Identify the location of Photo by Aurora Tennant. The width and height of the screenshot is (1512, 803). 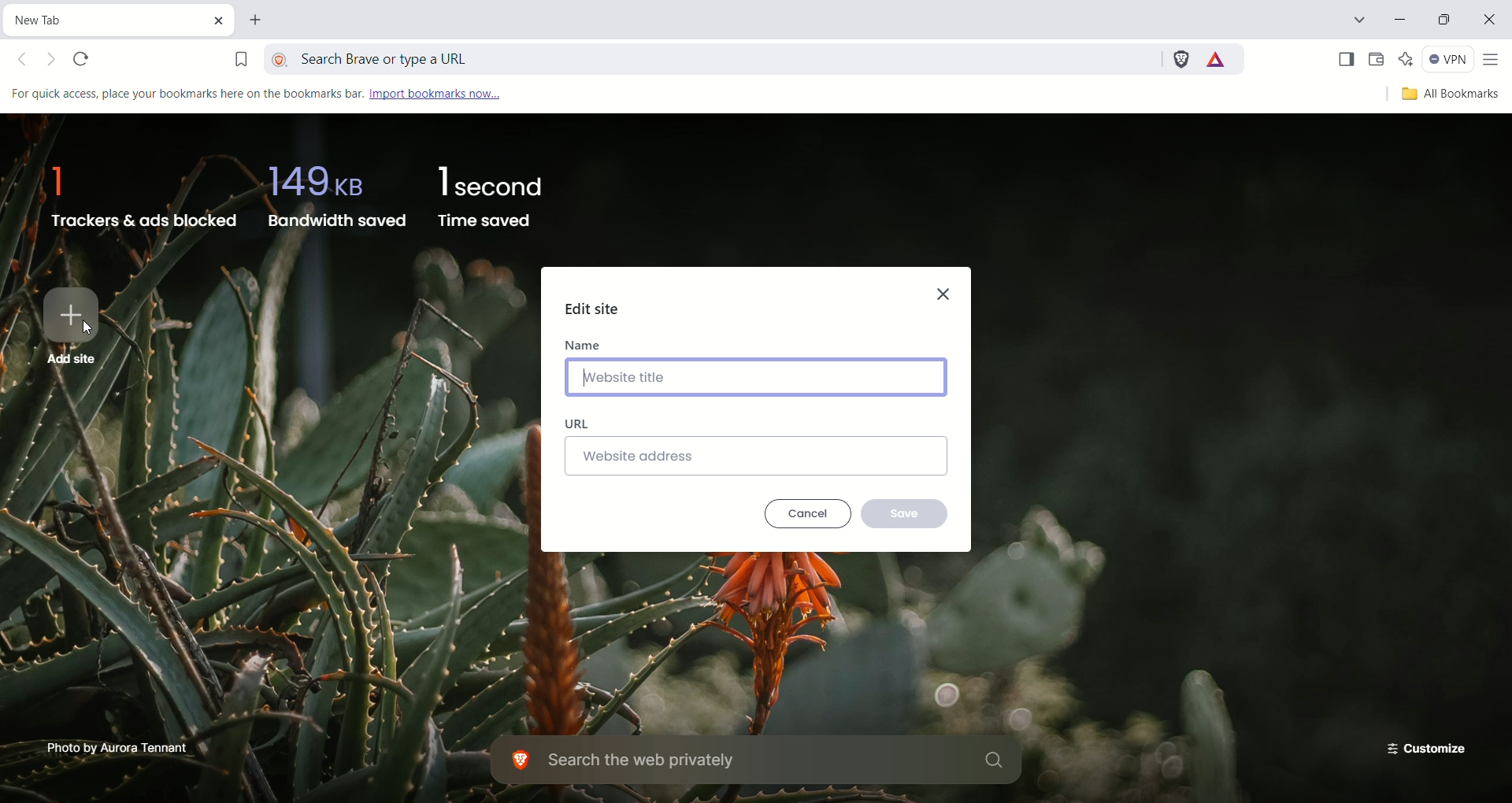
(119, 746).